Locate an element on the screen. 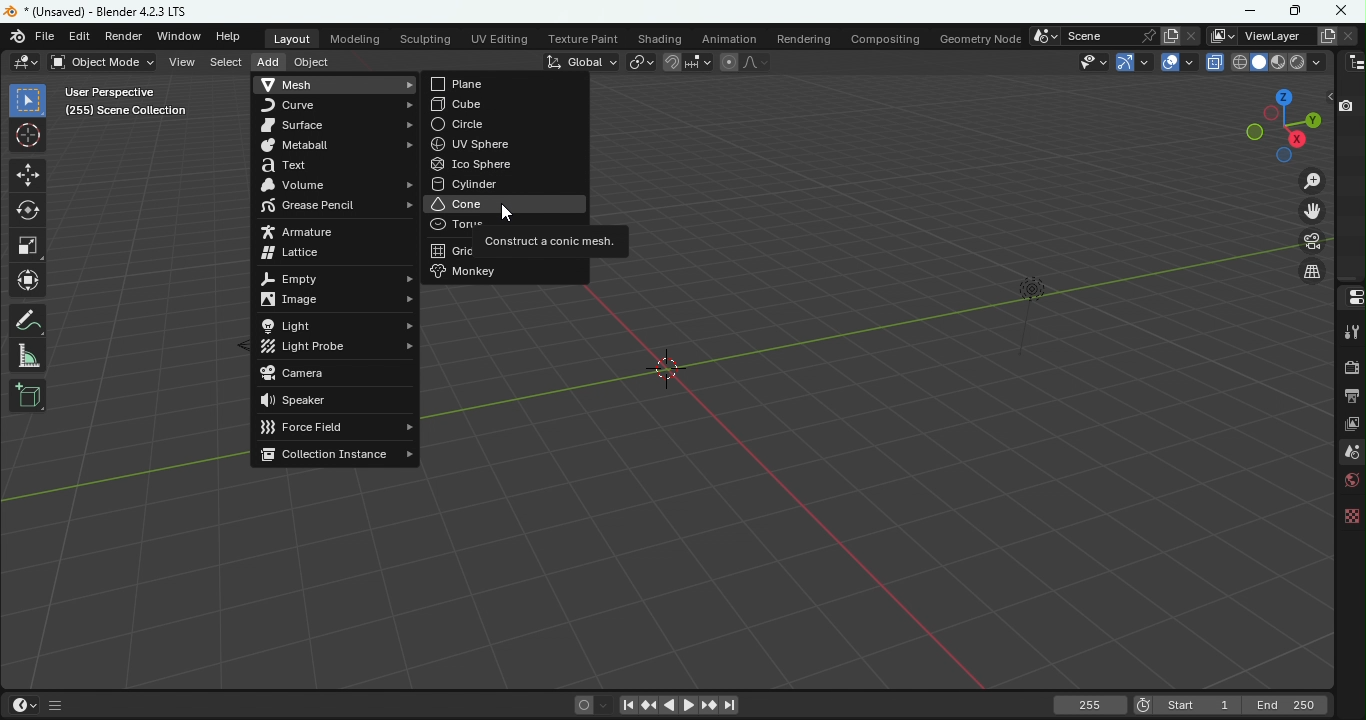  Render is located at coordinates (1349, 366).